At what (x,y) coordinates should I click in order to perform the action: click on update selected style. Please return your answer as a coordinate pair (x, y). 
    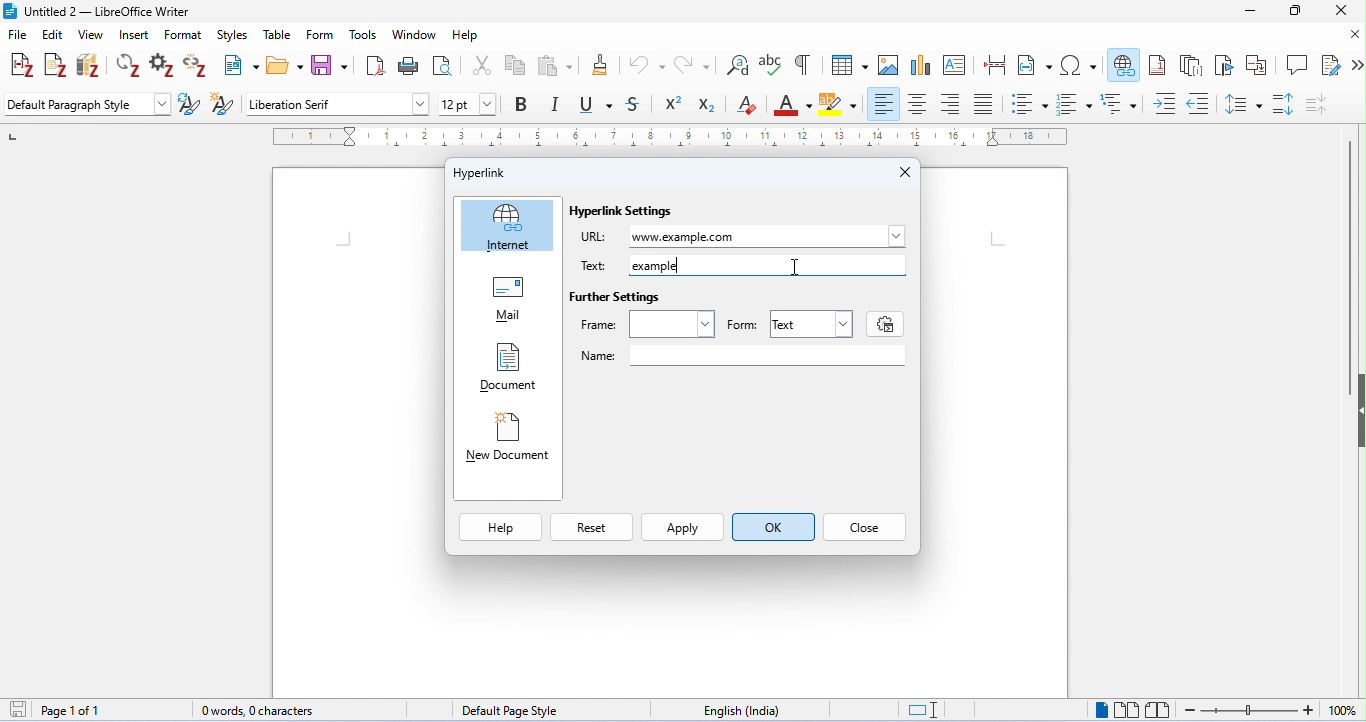
    Looking at the image, I should click on (190, 105).